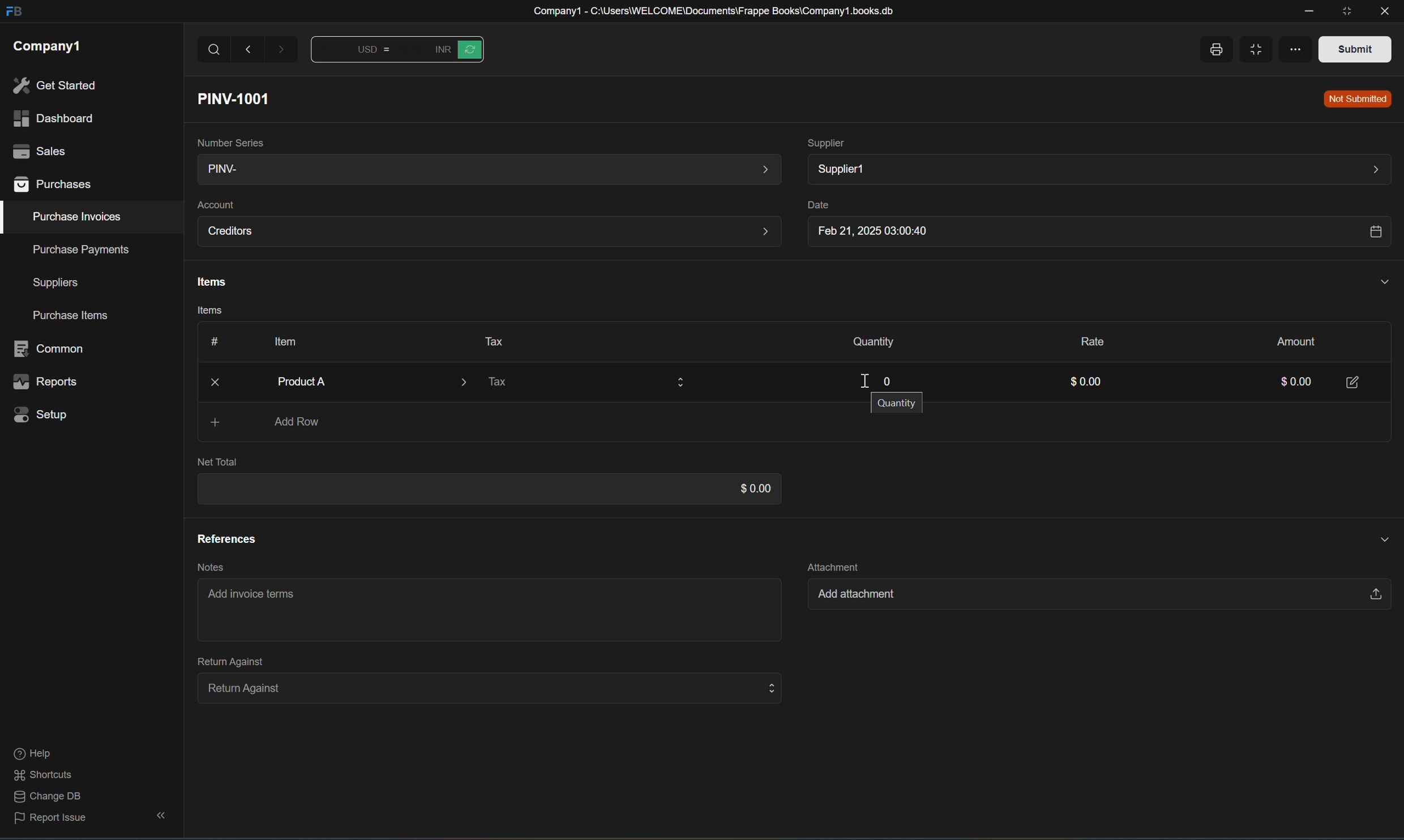  I want to click on Item, so click(280, 341).